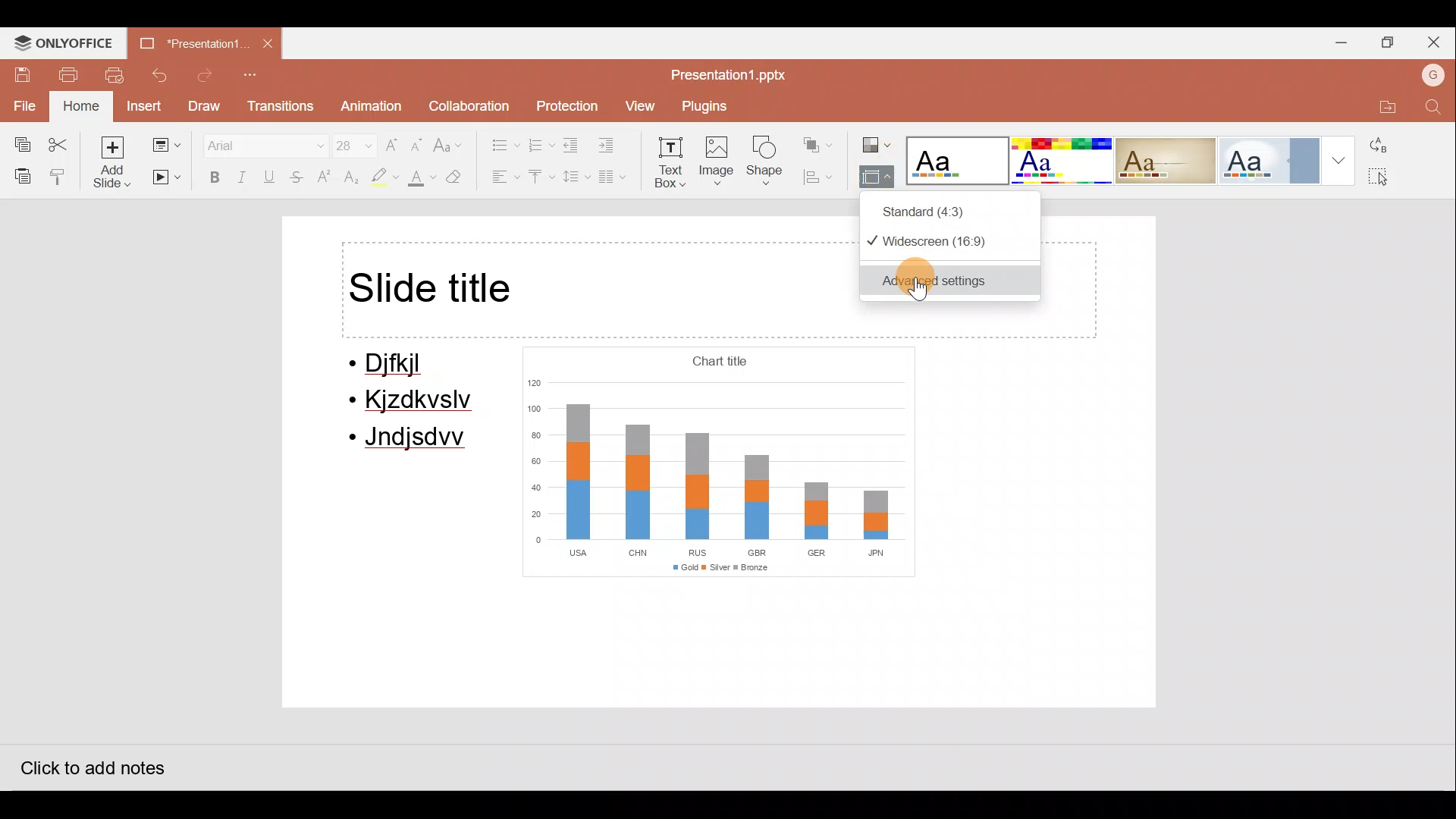 This screenshot has height=819, width=1456. What do you see at coordinates (254, 76) in the screenshot?
I see `Customize quick access toolbar` at bounding box center [254, 76].